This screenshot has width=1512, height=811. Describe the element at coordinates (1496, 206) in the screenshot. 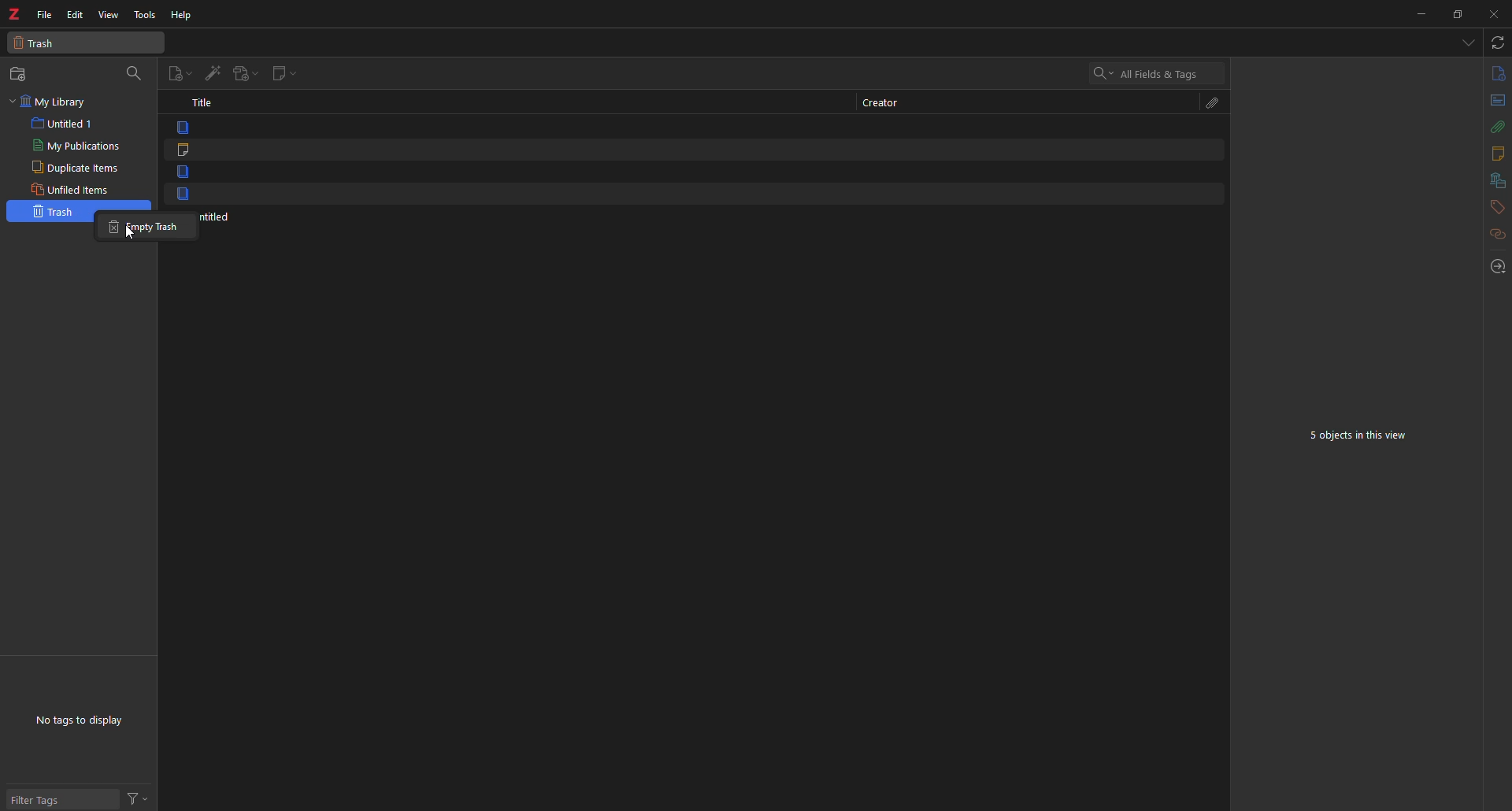

I see `tags` at that location.